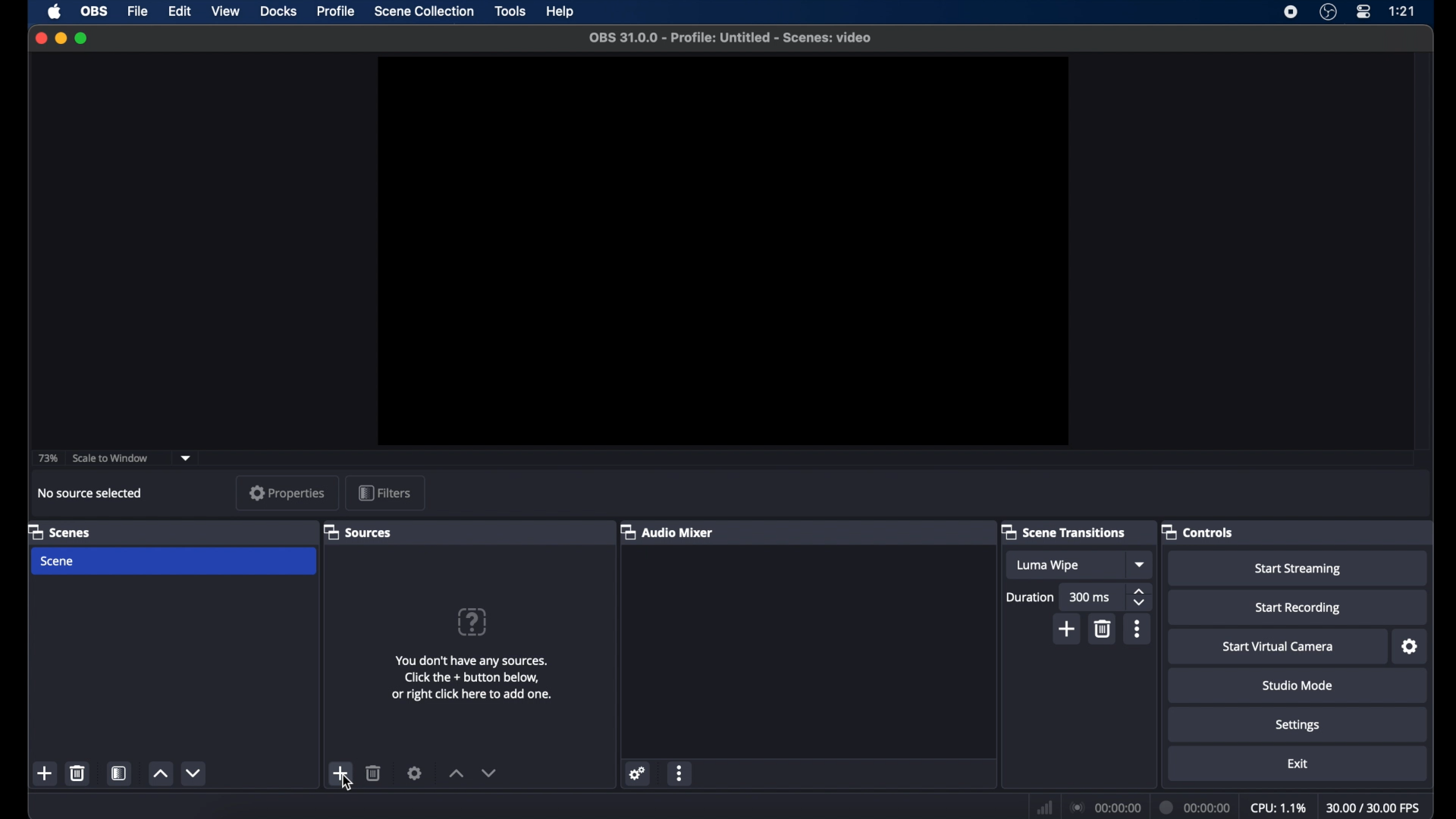 The height and width of the screenshot is (819, 1456). What do you see at coordinates (414, 773) in the screenshot?
I see `settings` at bounding box center [414, 773].